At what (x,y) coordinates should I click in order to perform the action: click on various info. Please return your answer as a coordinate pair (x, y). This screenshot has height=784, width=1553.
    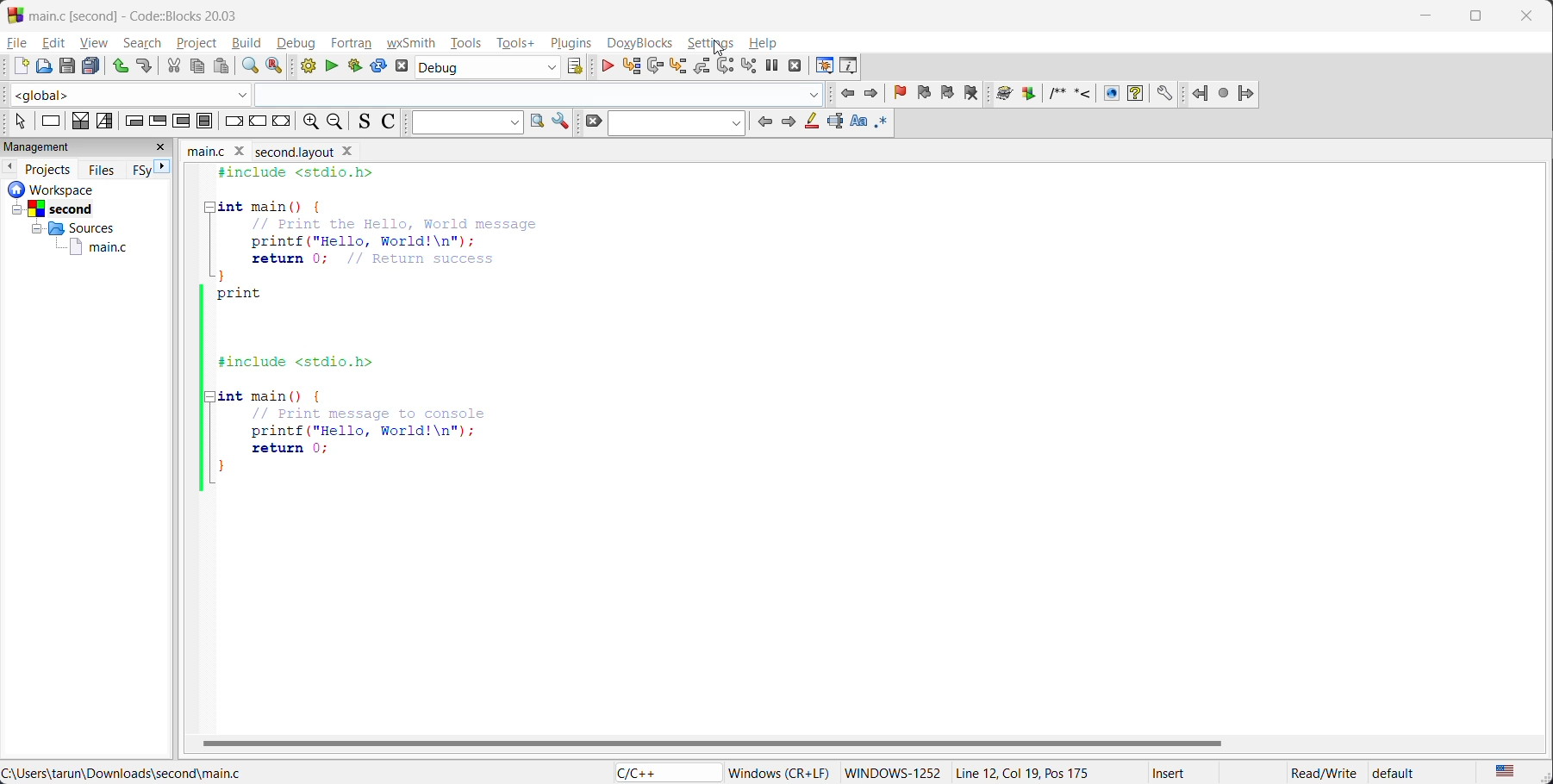
    Looking at the image, I should click on (846, 65).